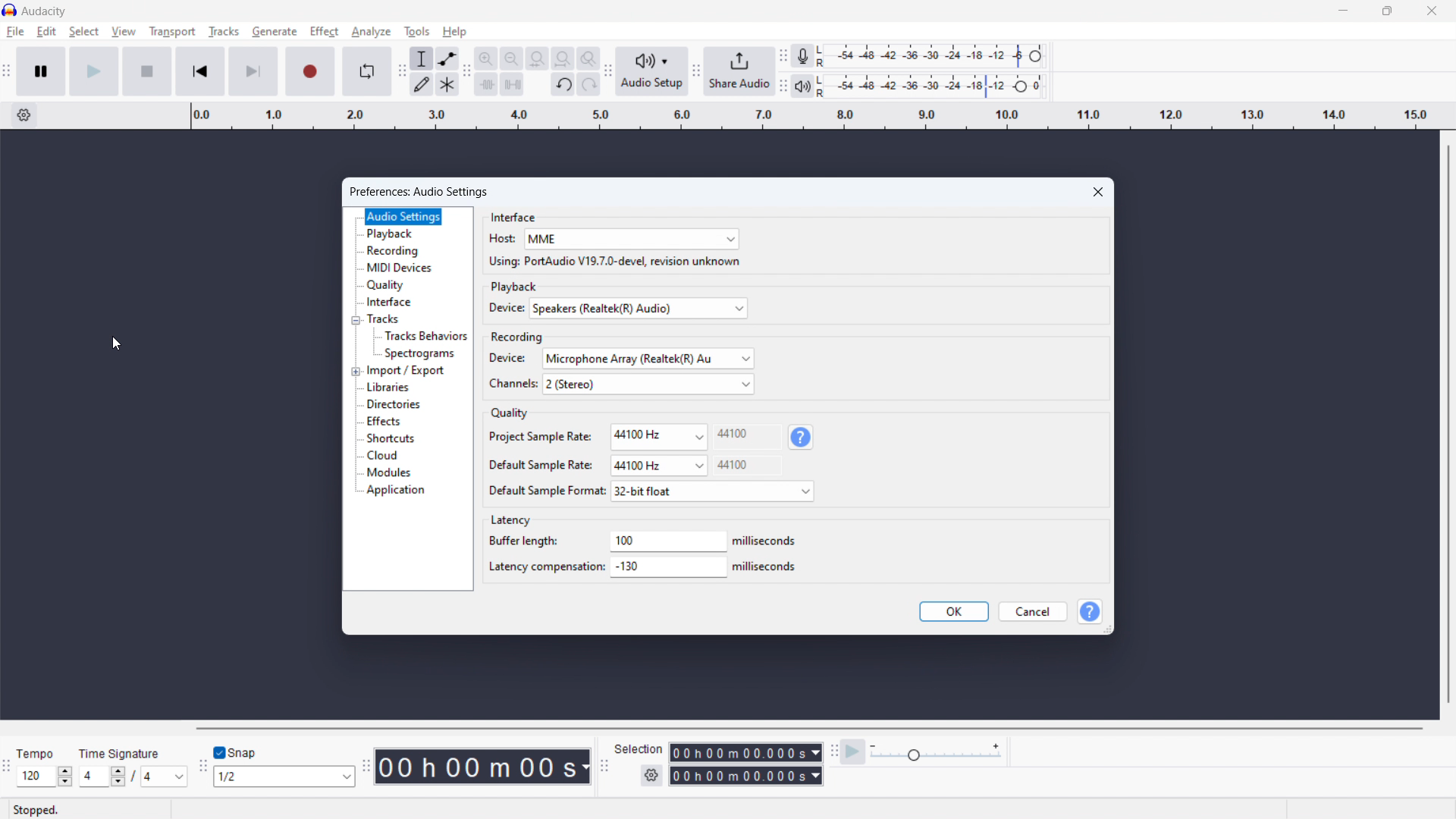 This screenshot has width=1456, height=819. Describe the element at coordinates (513, 83) in the screenshot. I see `silence audio selection` at that location.